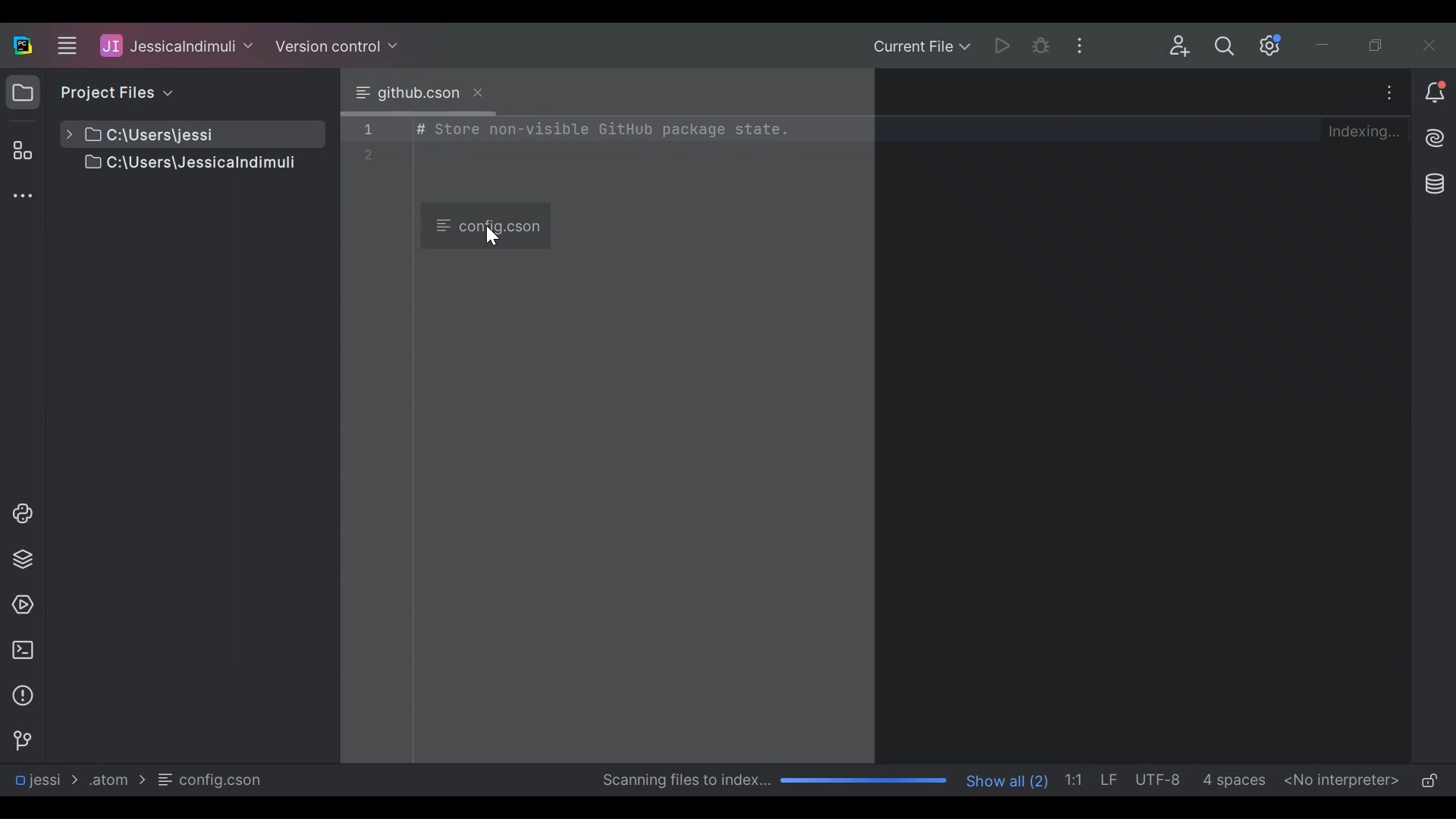 This screenshot has height=819, width=1456. I want to click on Line Column, so click(1077, 779).